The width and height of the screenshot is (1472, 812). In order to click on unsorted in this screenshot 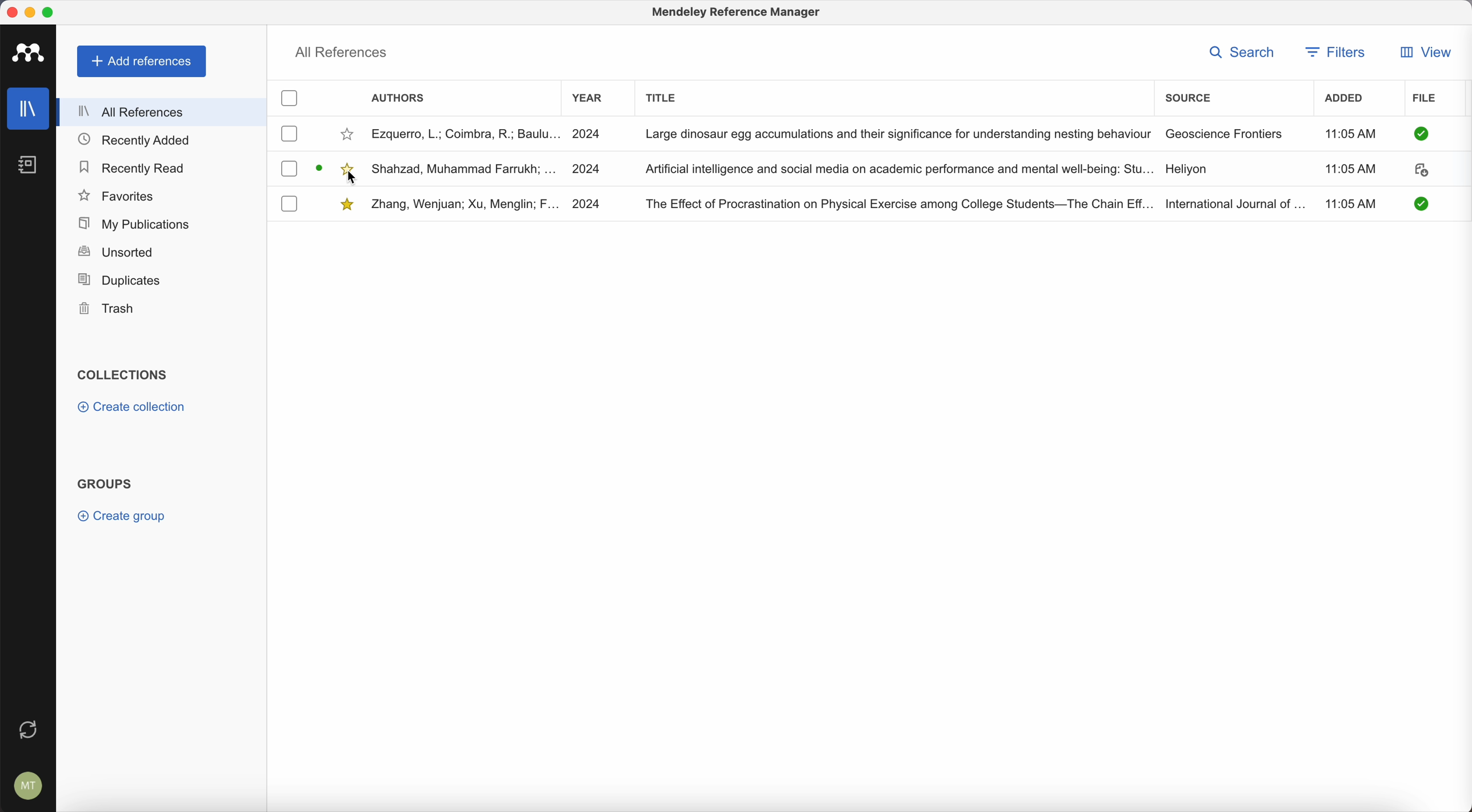, I will do `click(115, 253)`.